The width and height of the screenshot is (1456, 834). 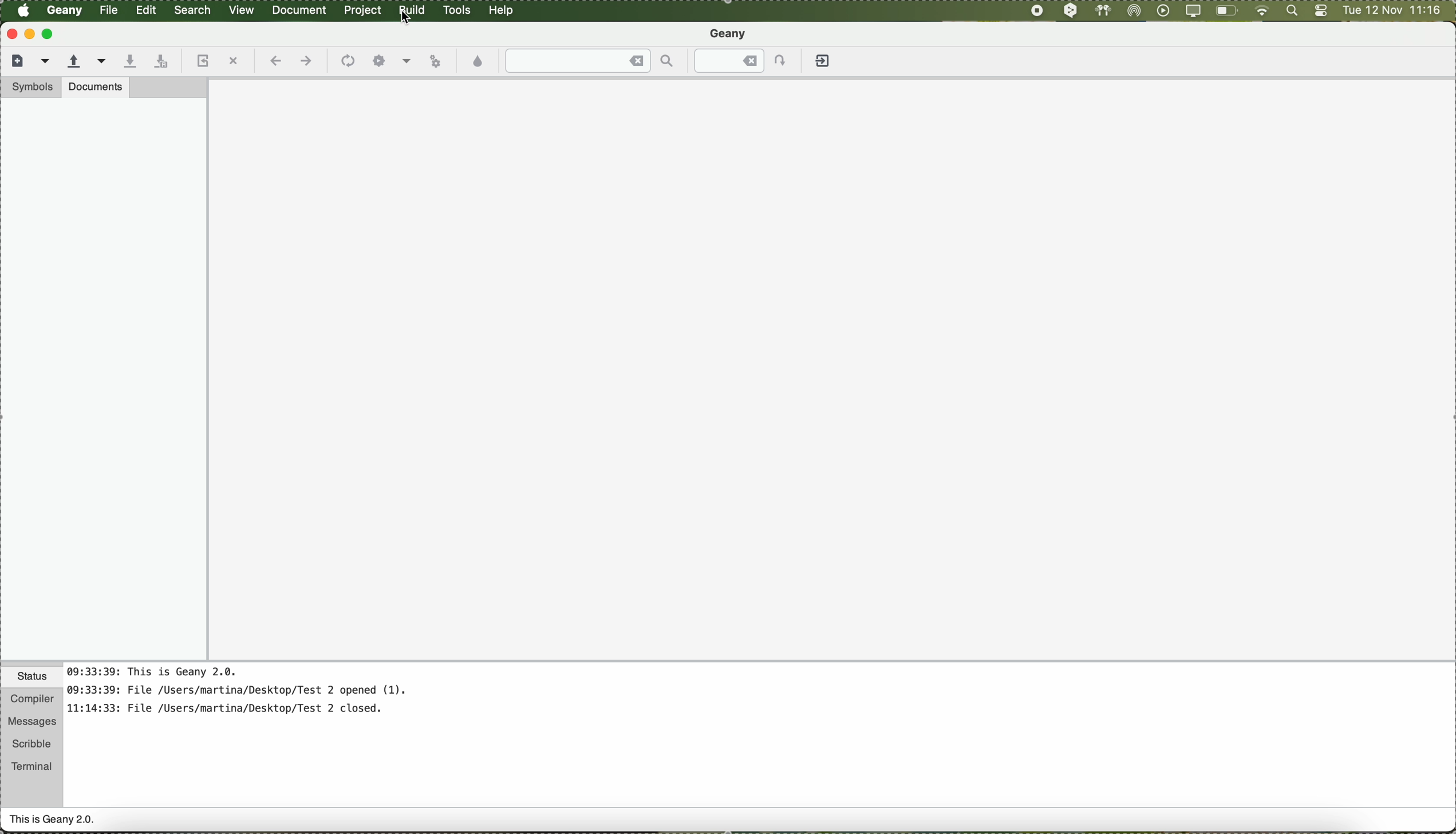 I want to click on close program, so click(x=10, y=33).